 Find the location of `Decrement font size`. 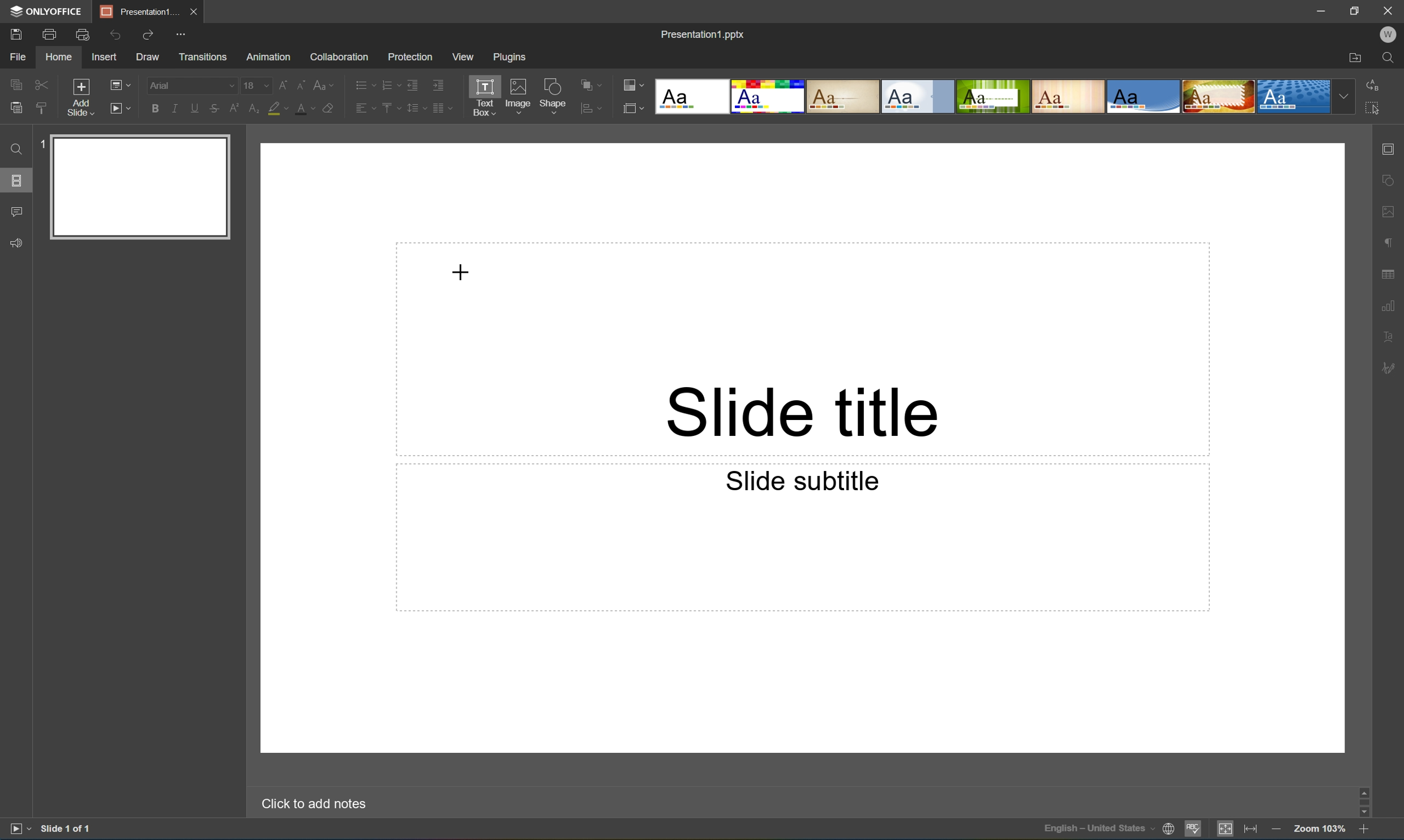

Decrement font size is located at coordinates (300, 83).